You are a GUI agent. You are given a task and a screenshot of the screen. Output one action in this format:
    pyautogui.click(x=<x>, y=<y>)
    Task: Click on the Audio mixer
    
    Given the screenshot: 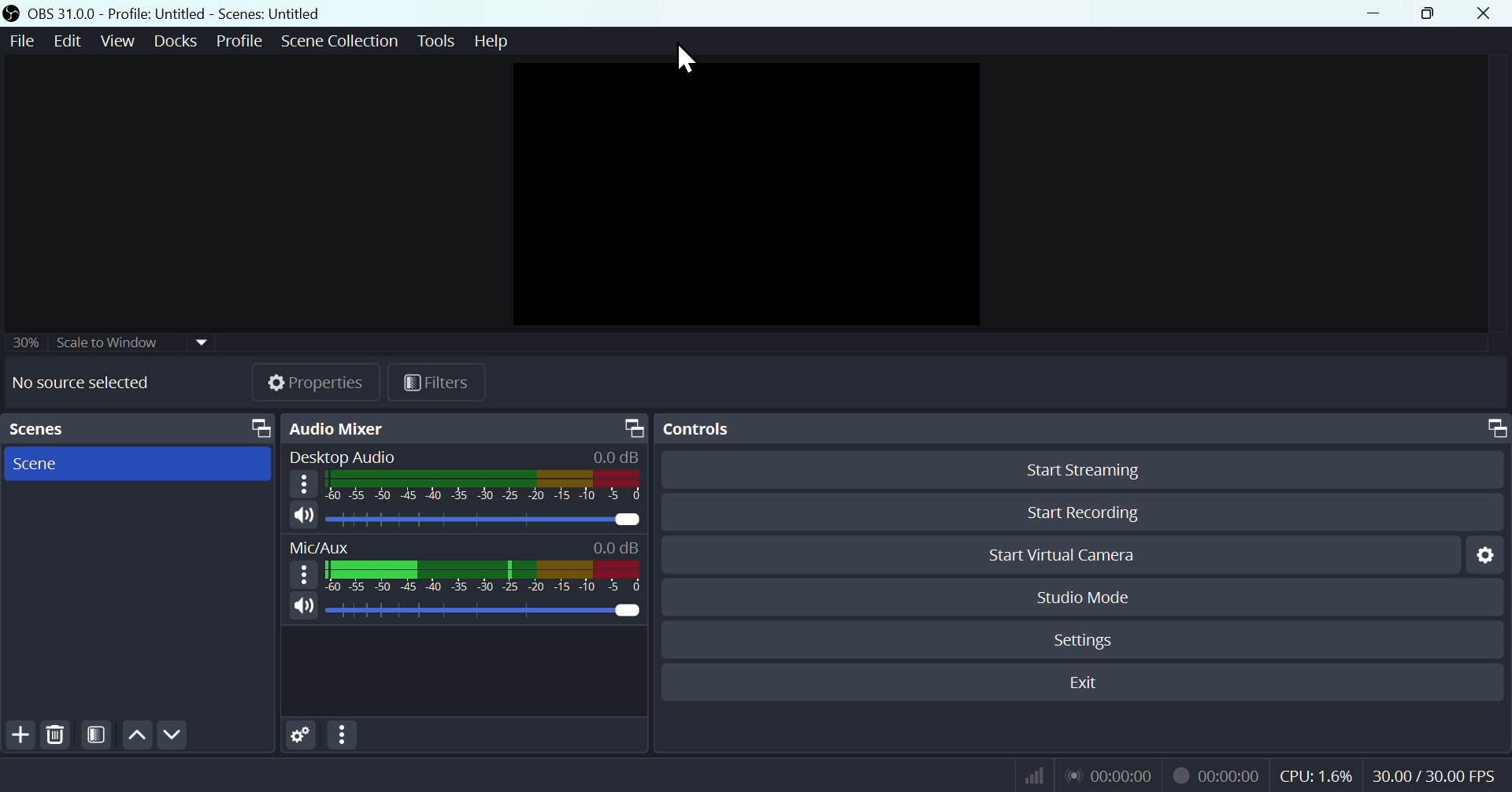 What is the action you would take?
    pyautogui.click(x=462, y=427)
    